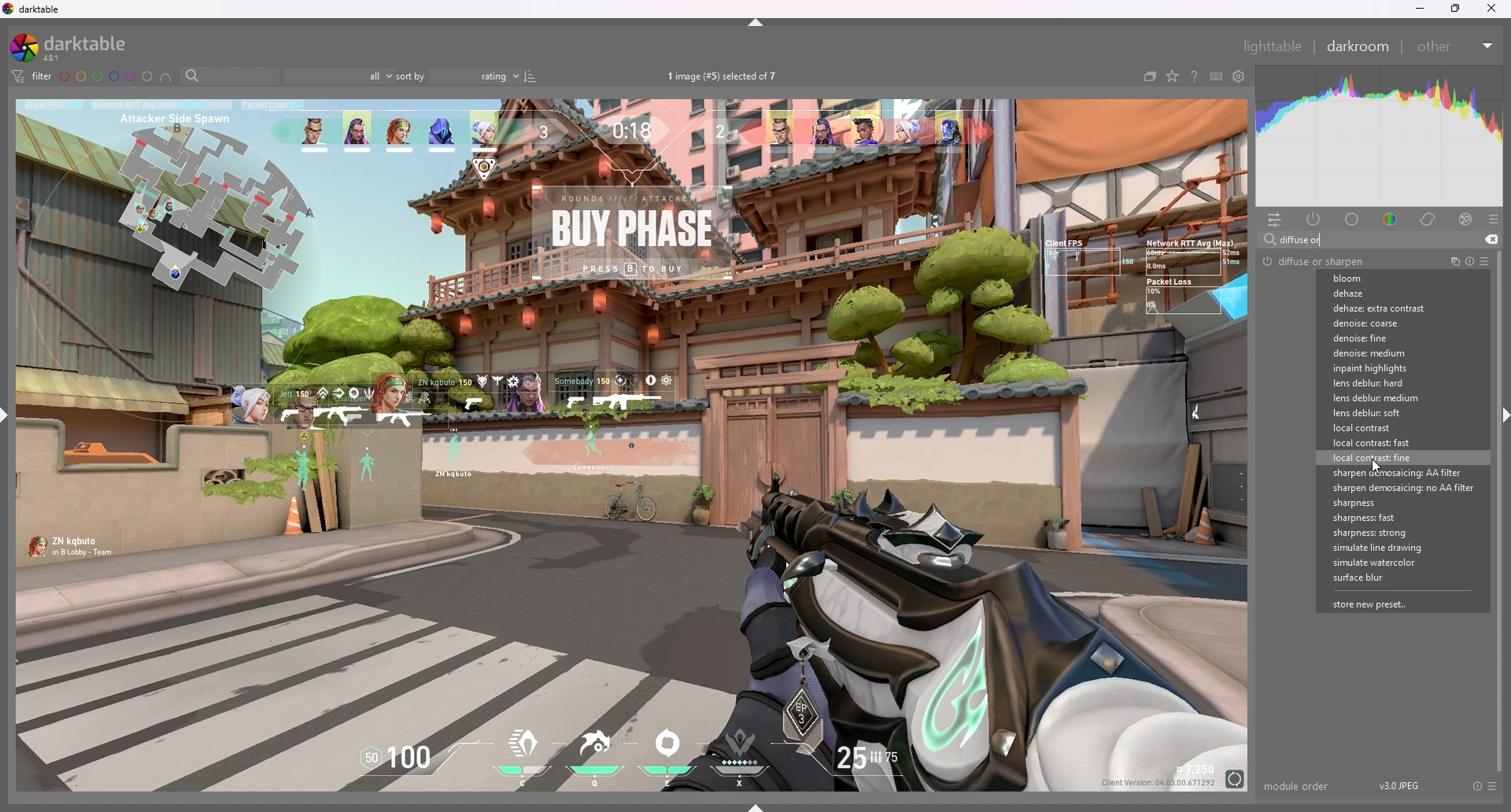 Image resolution: width=1511 pixels, height=812 pixels. What do you see at coordinates (1476, 786) in the screenshot?
I see `reset` at bounding box center [1476, 786].